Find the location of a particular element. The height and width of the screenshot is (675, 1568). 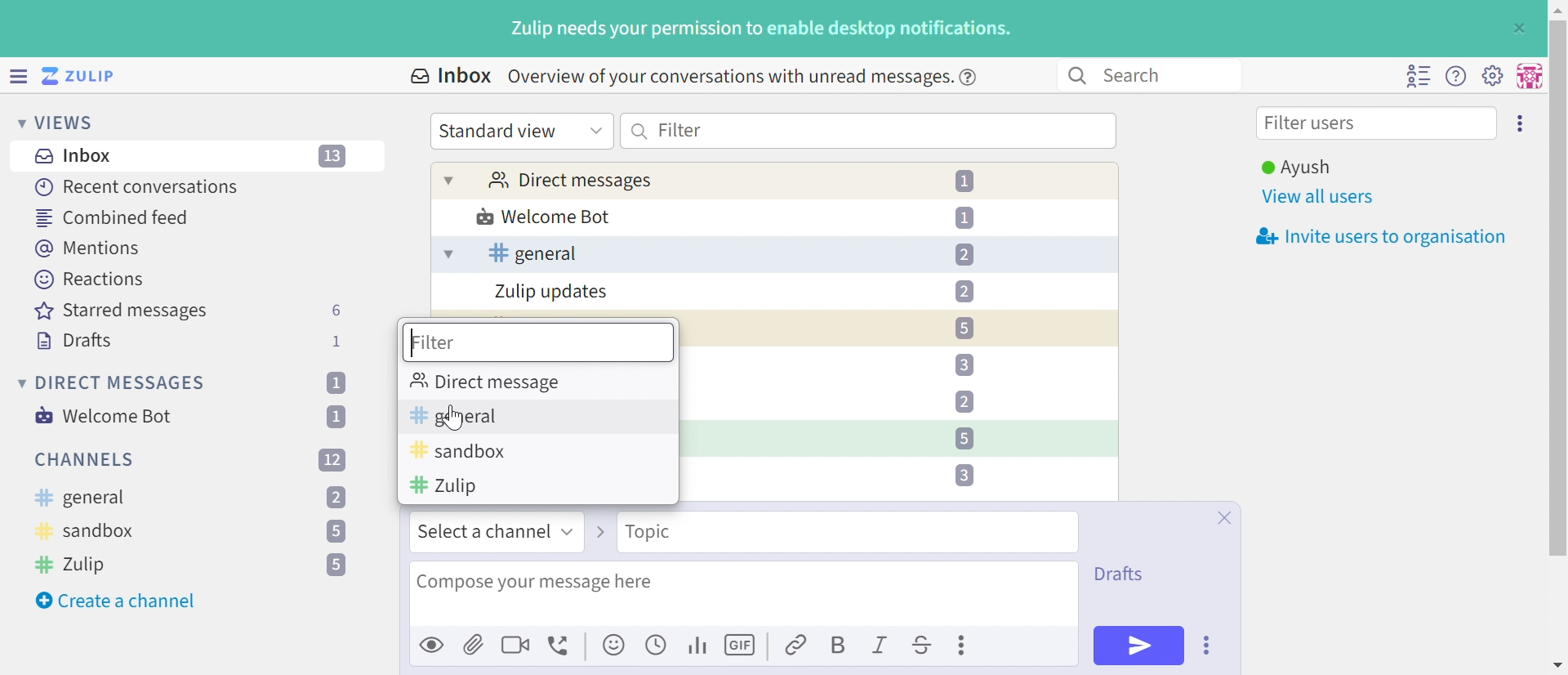

Invite users to organisation is located at coordinates (1376, 238).